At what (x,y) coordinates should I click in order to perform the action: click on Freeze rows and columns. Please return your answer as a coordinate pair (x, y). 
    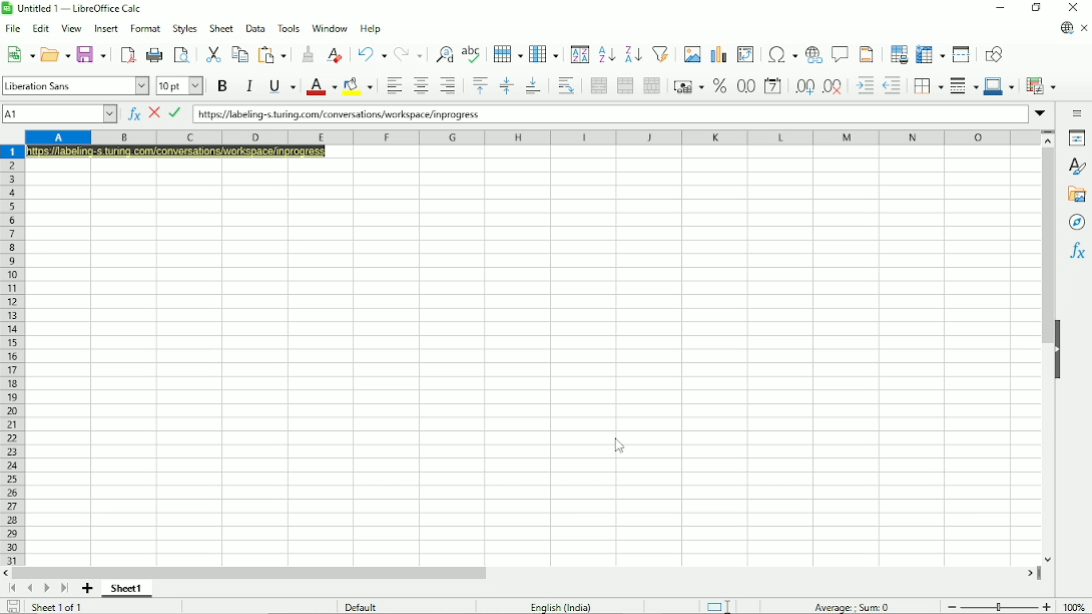
    Looking at the image, I should click on (930, 53).